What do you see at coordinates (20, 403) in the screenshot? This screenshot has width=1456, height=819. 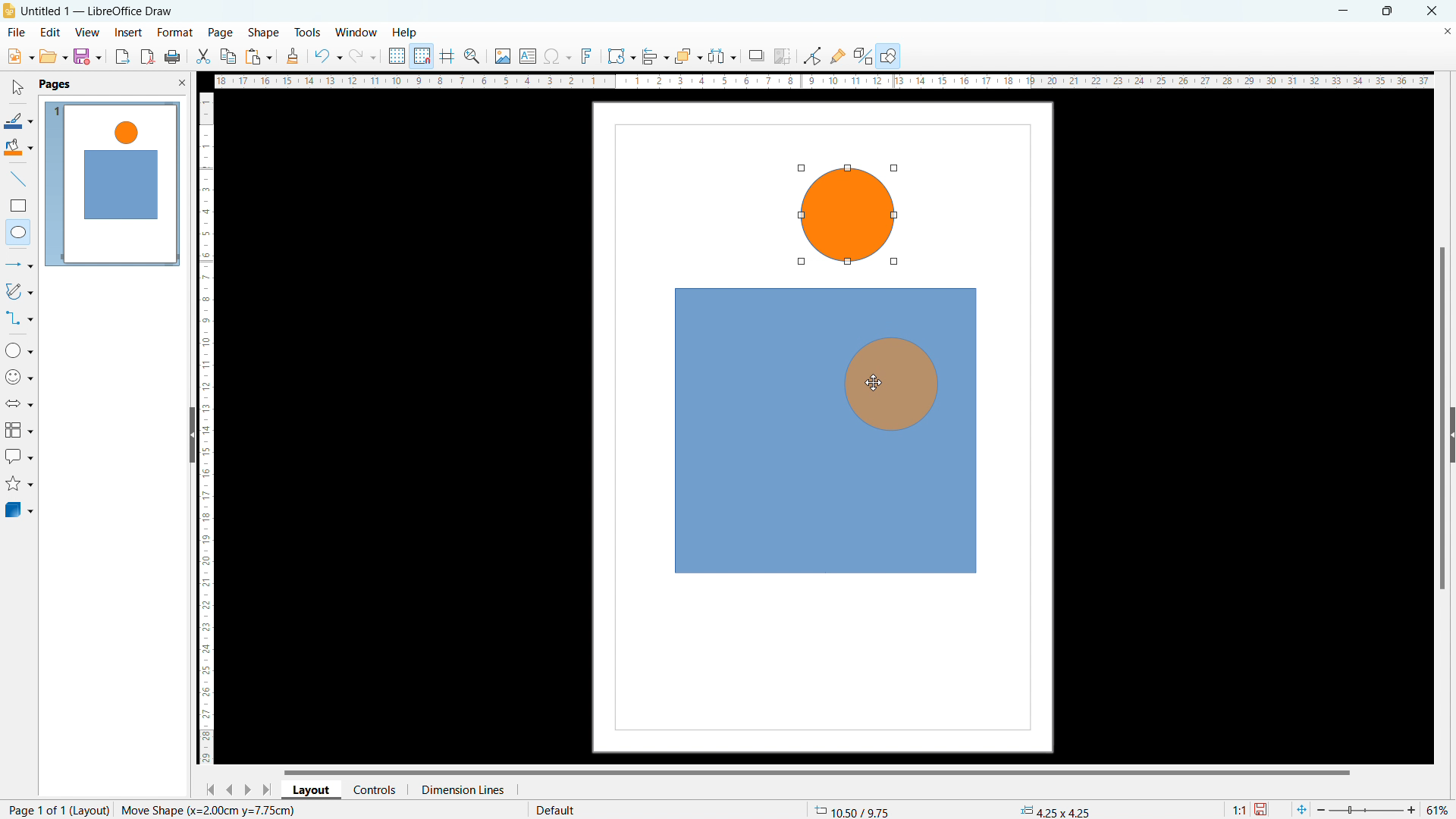 I see `block arrows` at bounding box center [20, 403].